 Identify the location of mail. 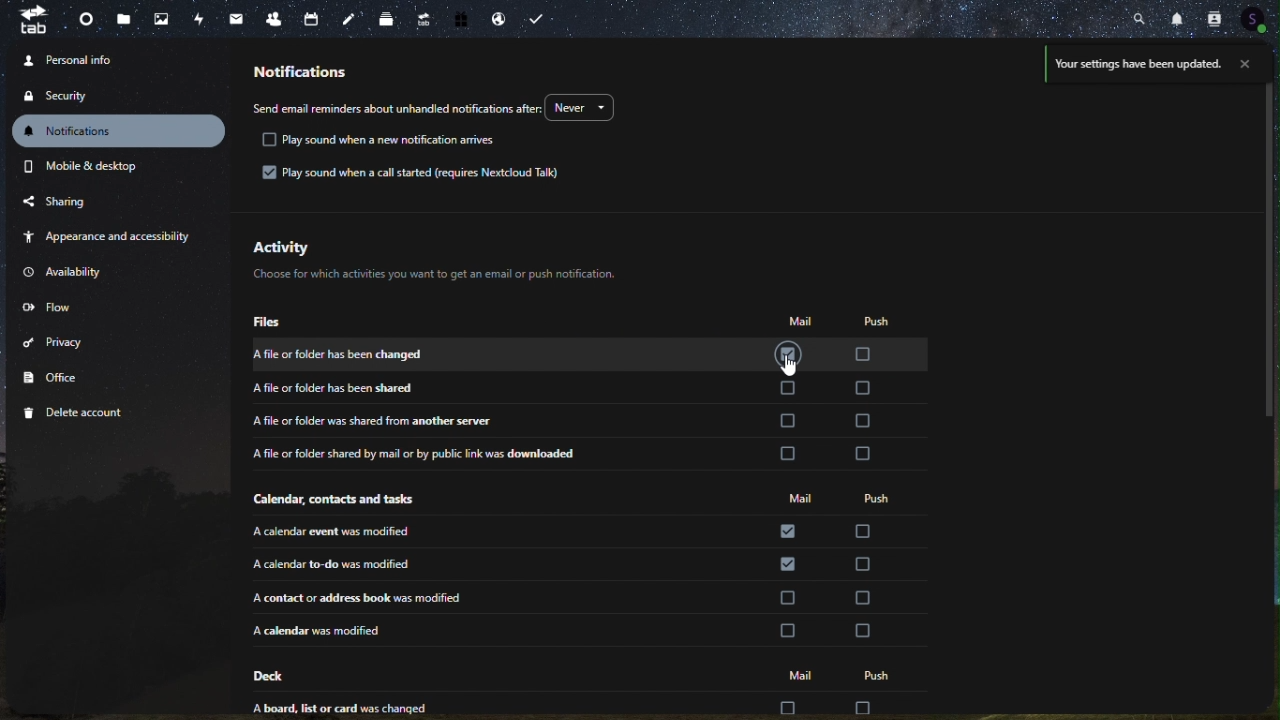
(797, 319).